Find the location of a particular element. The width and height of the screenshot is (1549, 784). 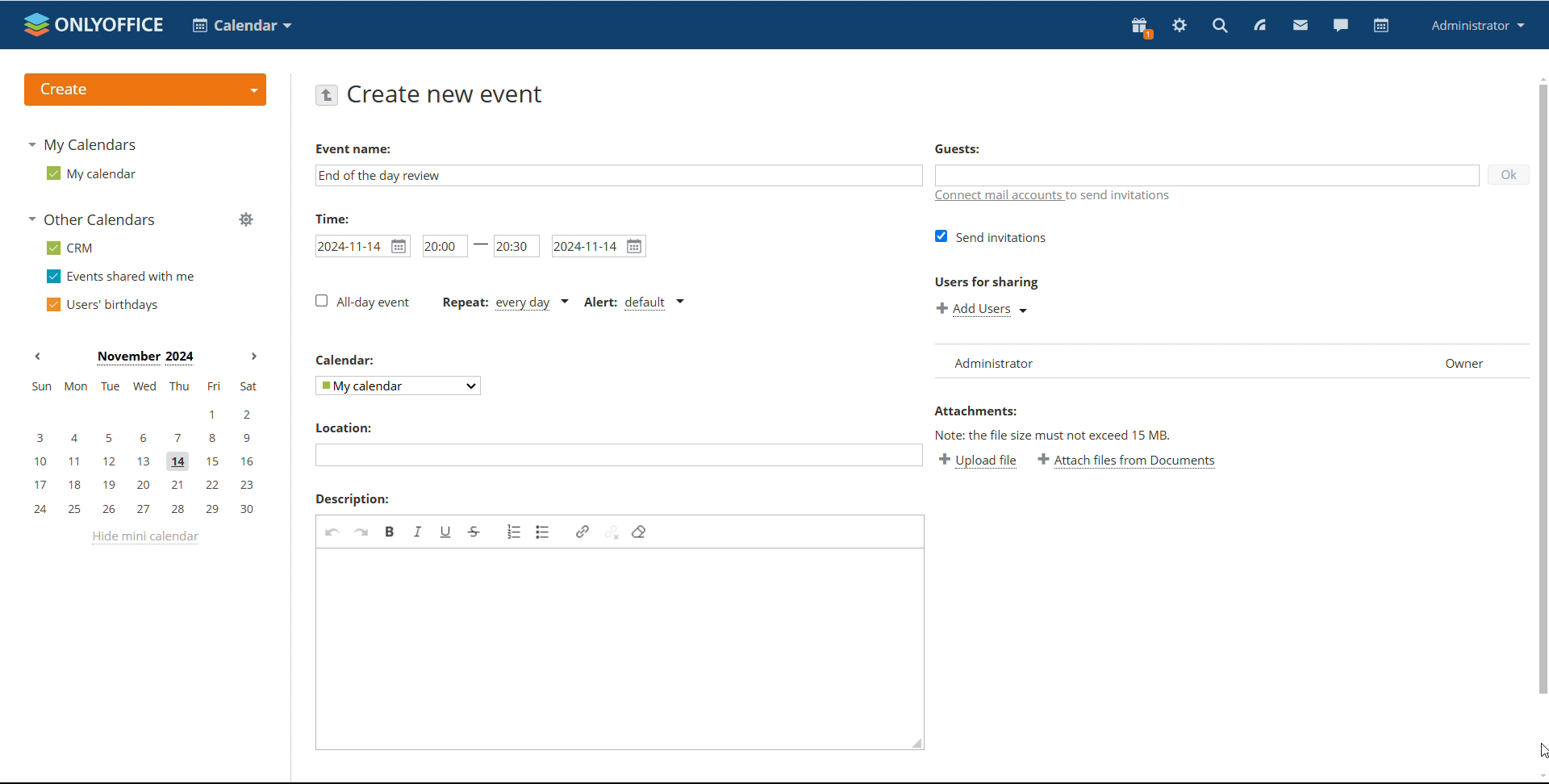

scroll down is located at coordinates (1539, 778).